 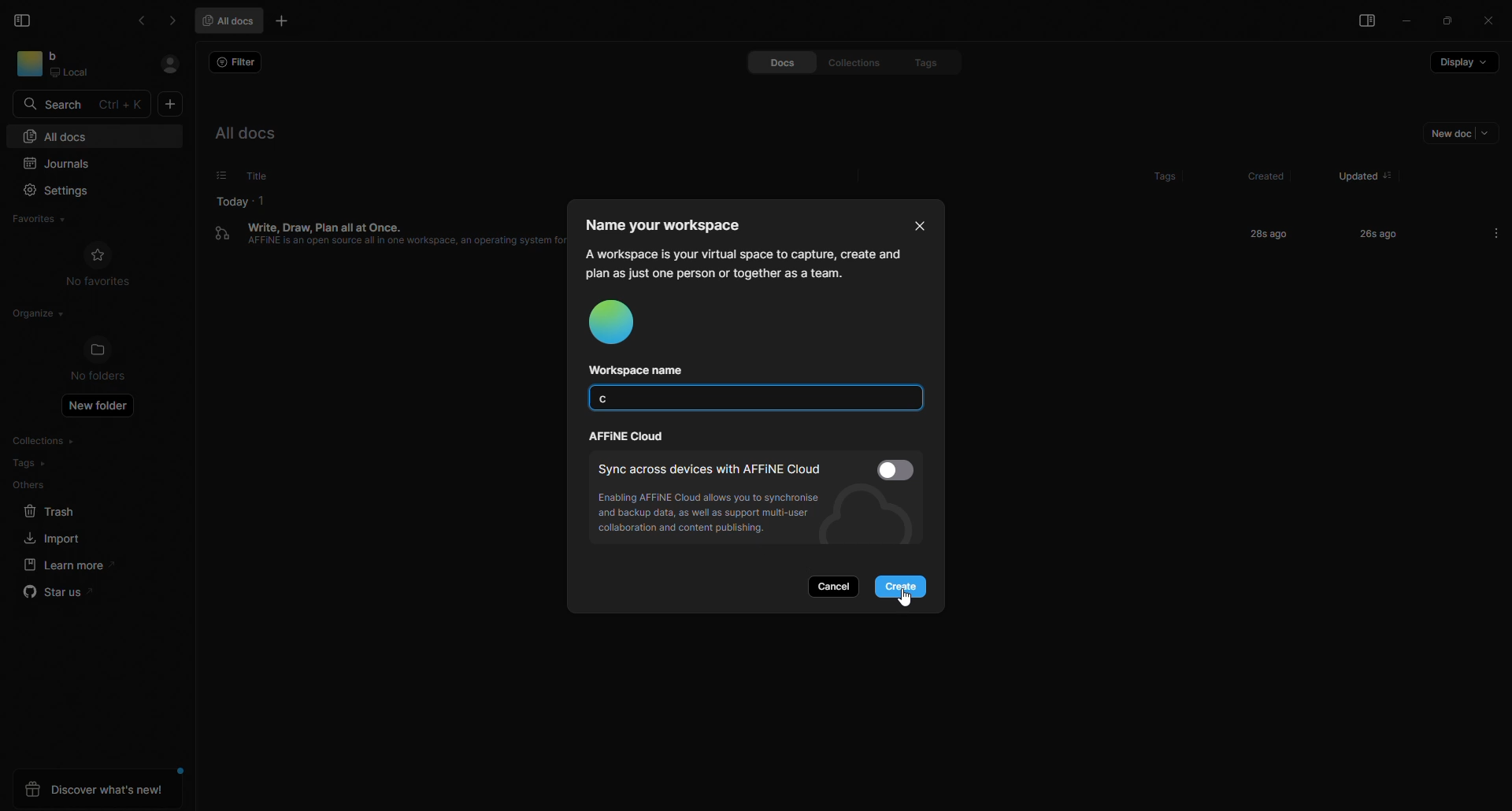 I want to click on tags, so click(x=1149, y=172).